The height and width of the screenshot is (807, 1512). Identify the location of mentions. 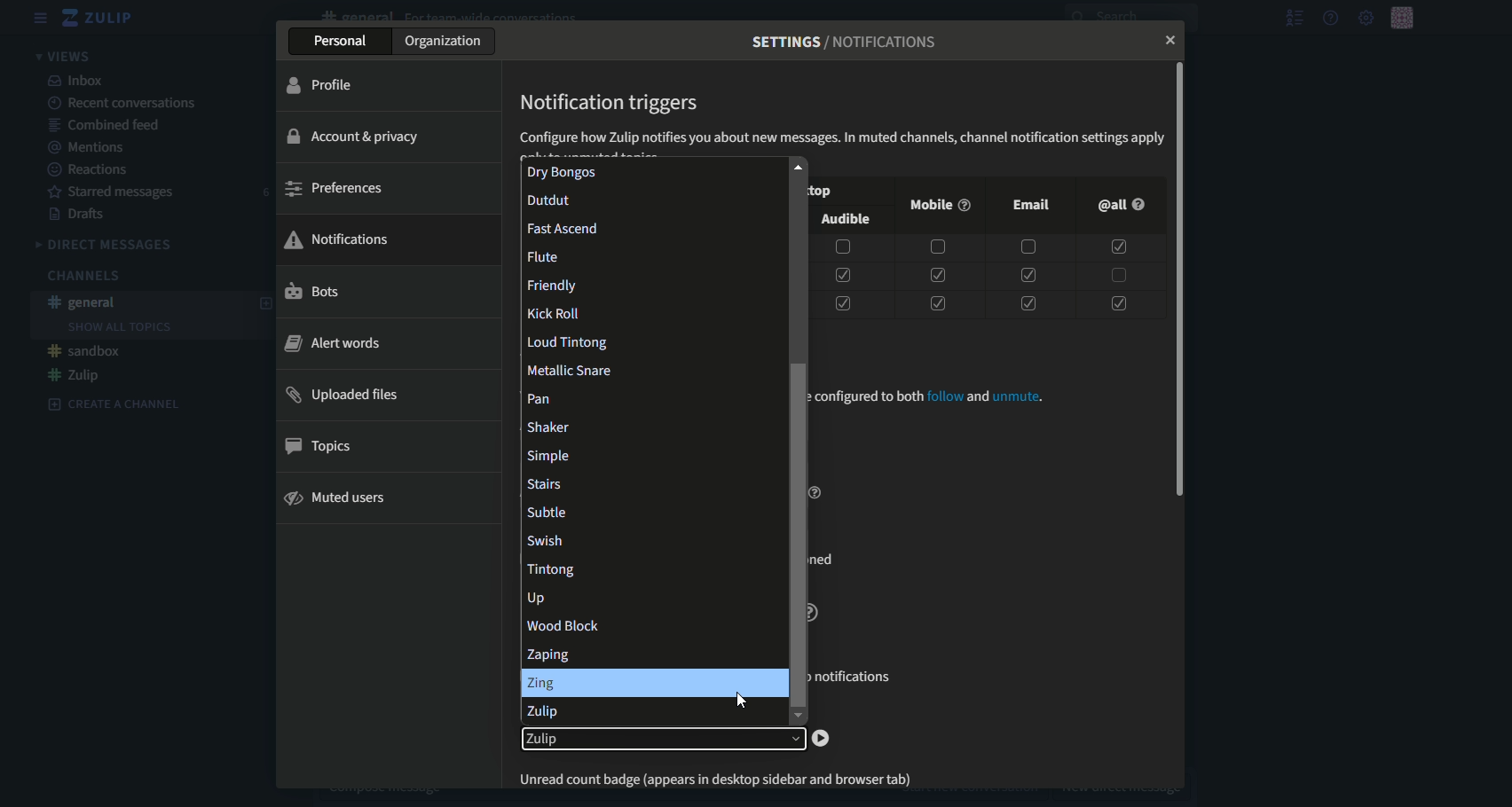
(92, 147).